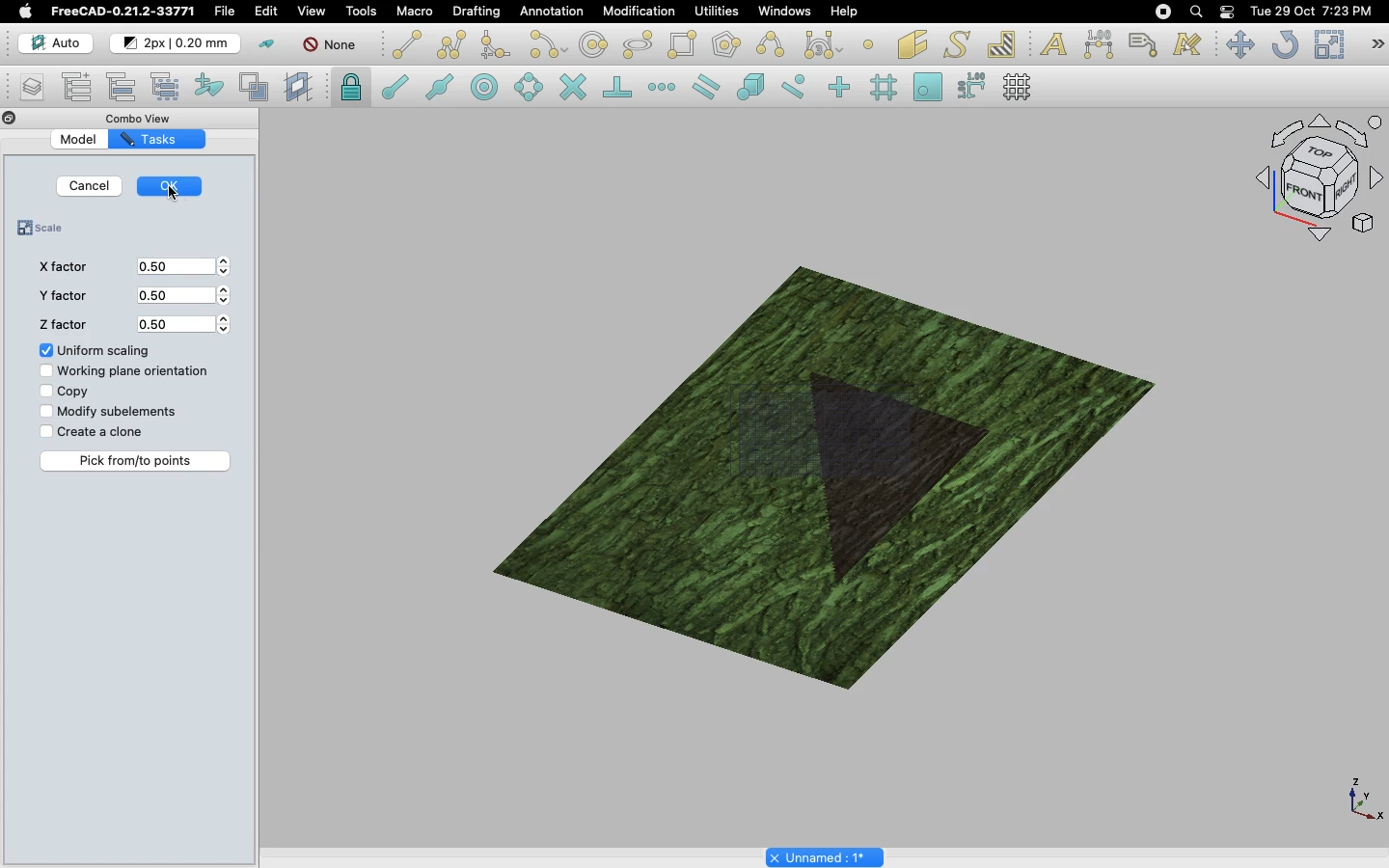 This screenshot has height=868, width=1389. What do you see at coordinates (524, 86) in the screenshot?
I see `Snap angle` at bounding box center [524, 86].